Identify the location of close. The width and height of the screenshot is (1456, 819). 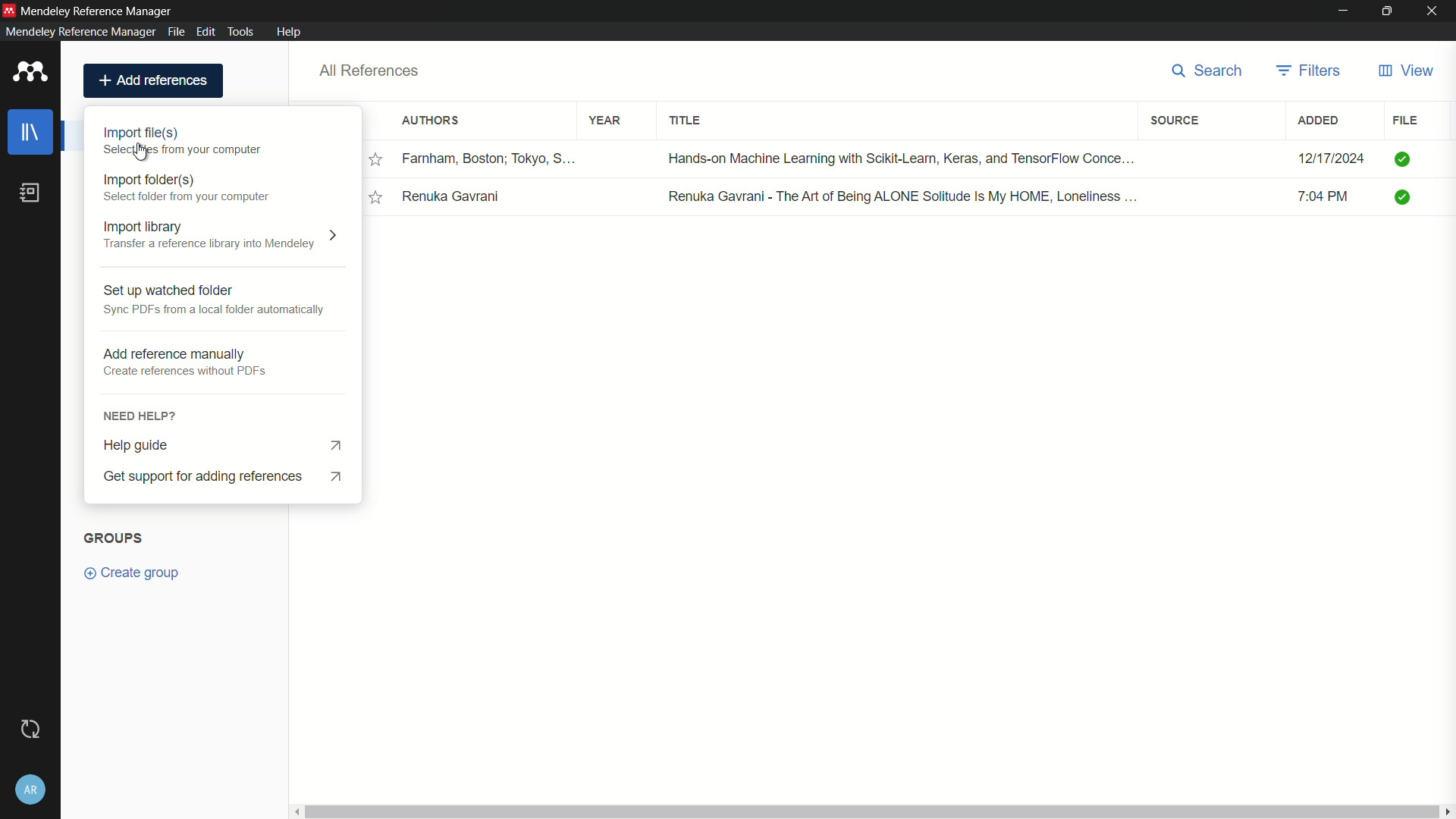
(1436, 11).